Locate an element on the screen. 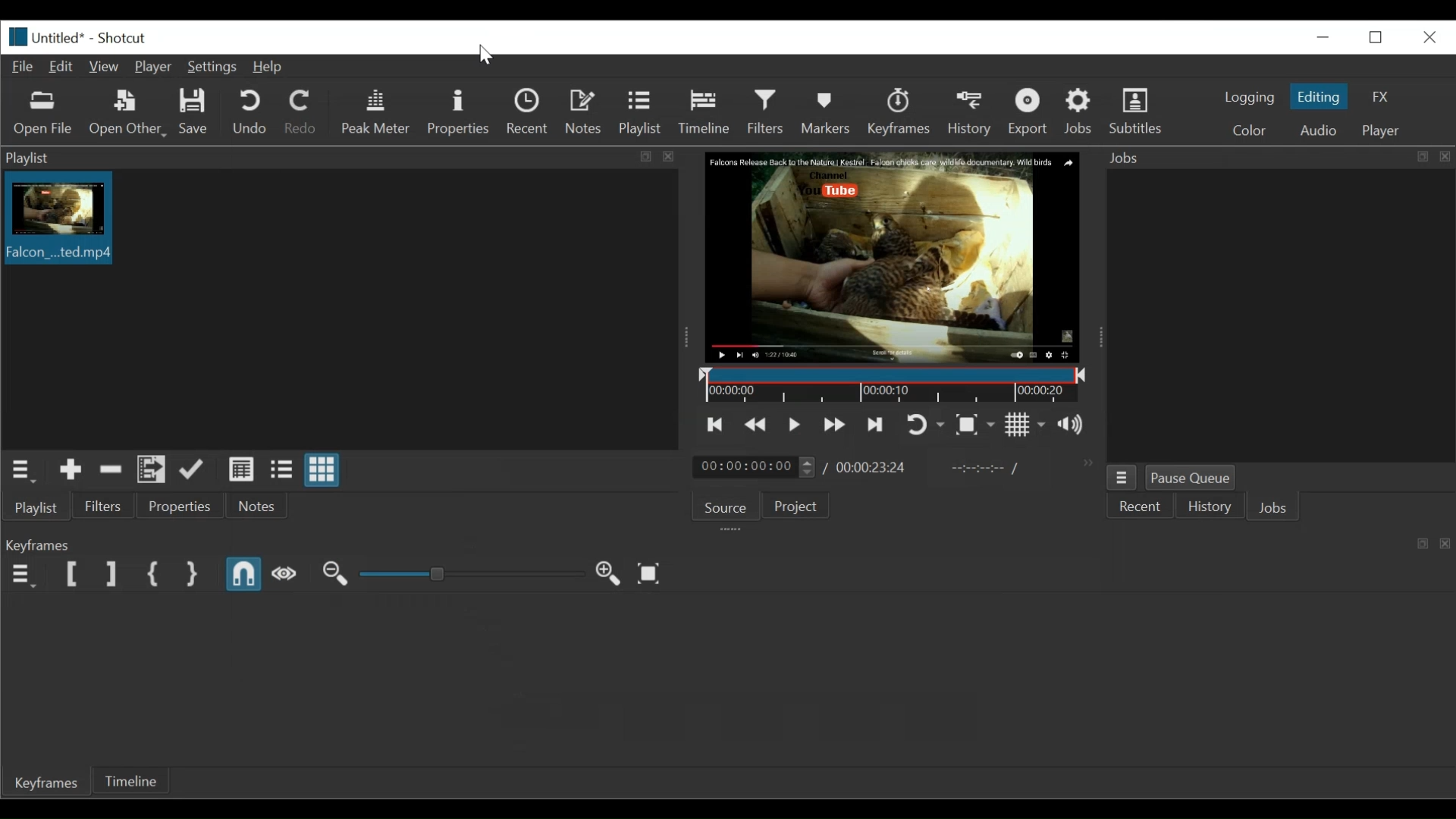  Toggle grid display on the player is located at coordinates (1026, 425).